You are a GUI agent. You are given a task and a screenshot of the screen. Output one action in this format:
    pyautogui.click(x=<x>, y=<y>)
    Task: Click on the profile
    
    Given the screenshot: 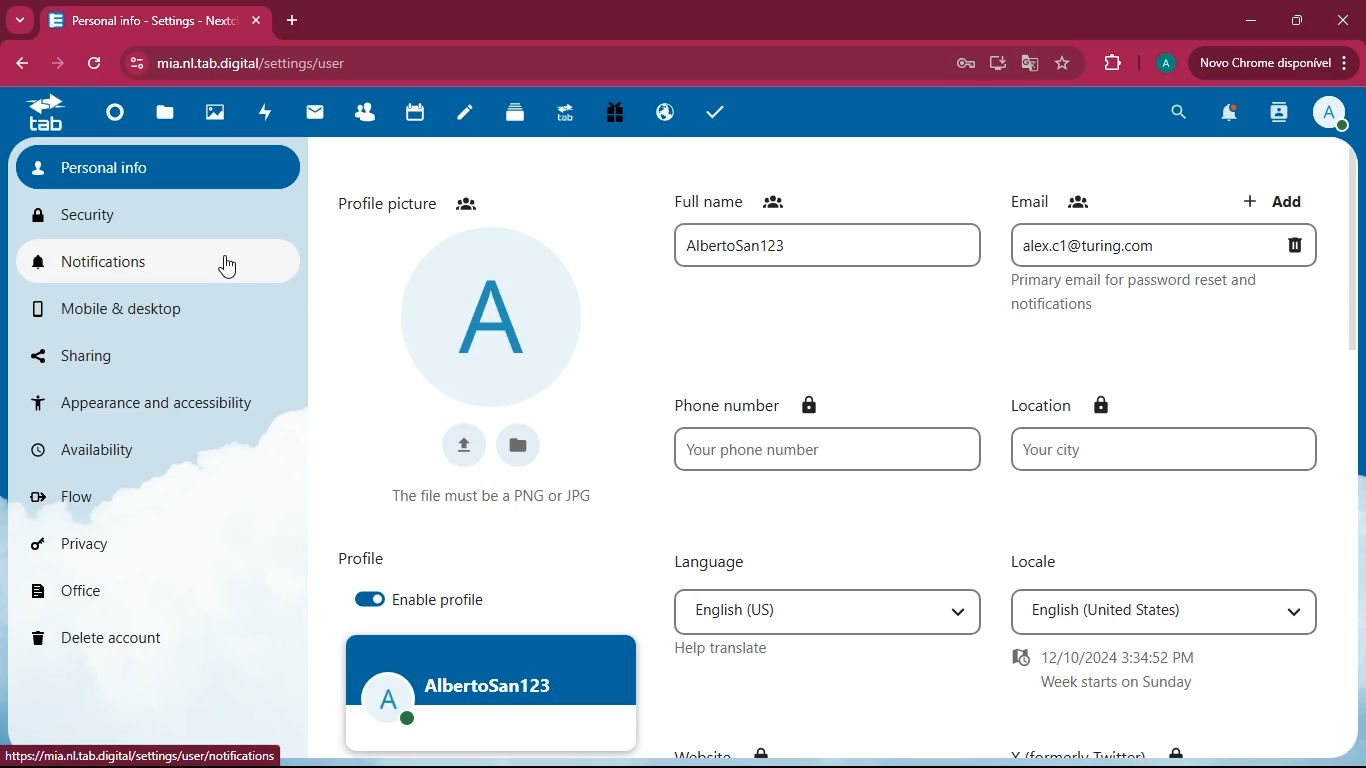 What is the action you would take?
    pyautogui.click(x=1162, y=65)
    